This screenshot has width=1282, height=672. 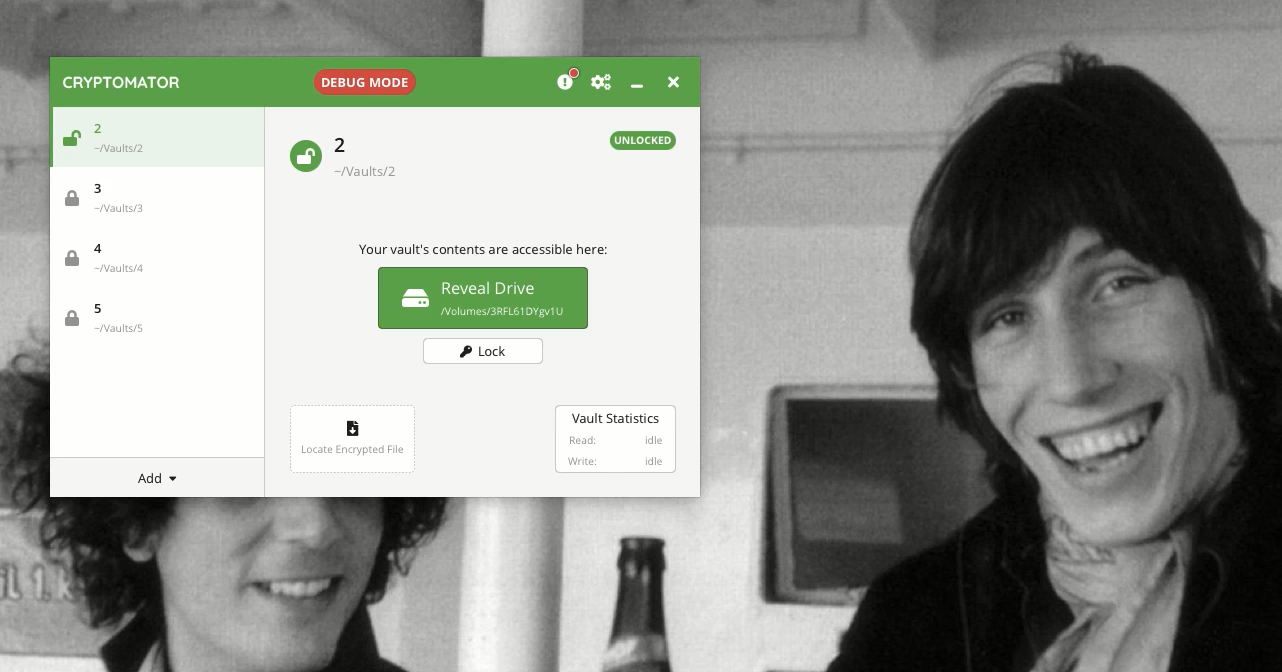 I want to click on Vault 3, so click(x=114, y=196).